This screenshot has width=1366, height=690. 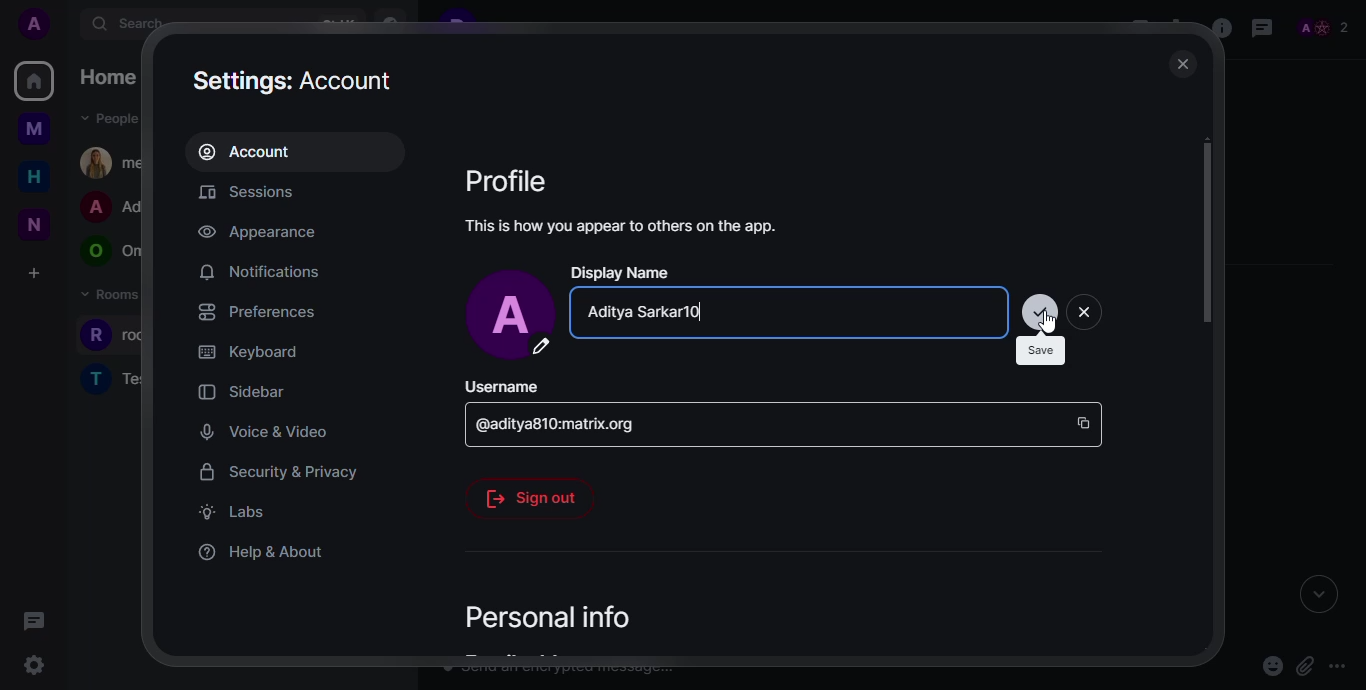 I want to click on sig out, so click(x=532, y=497).